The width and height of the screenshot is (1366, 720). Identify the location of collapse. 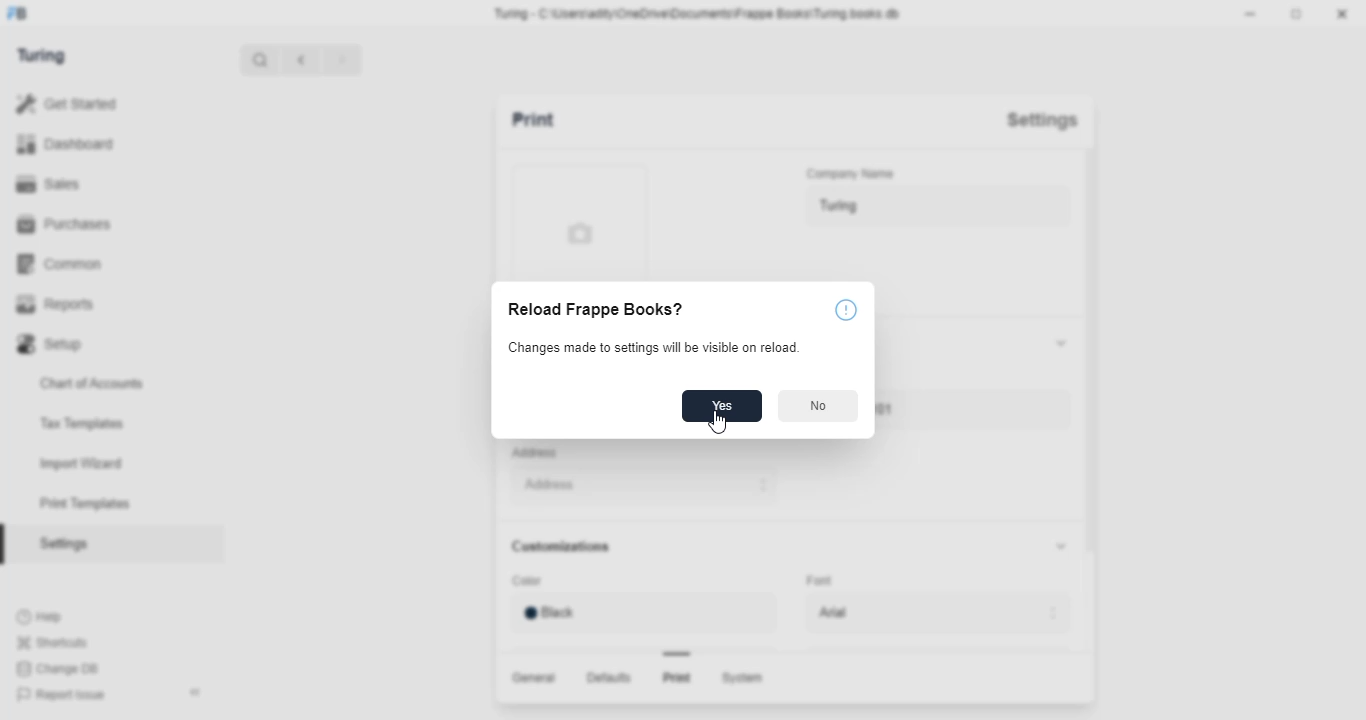
(1057, 546).